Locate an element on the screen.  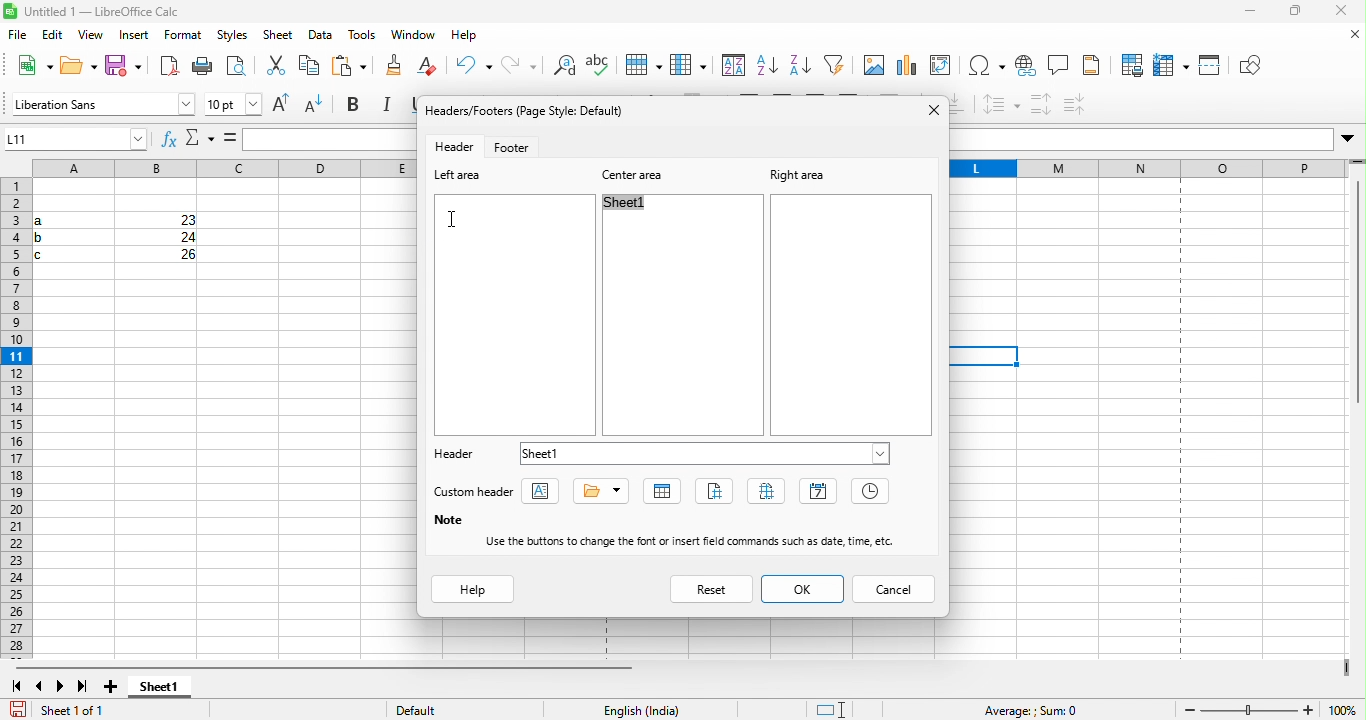
view is located at coordinates (92, 38).